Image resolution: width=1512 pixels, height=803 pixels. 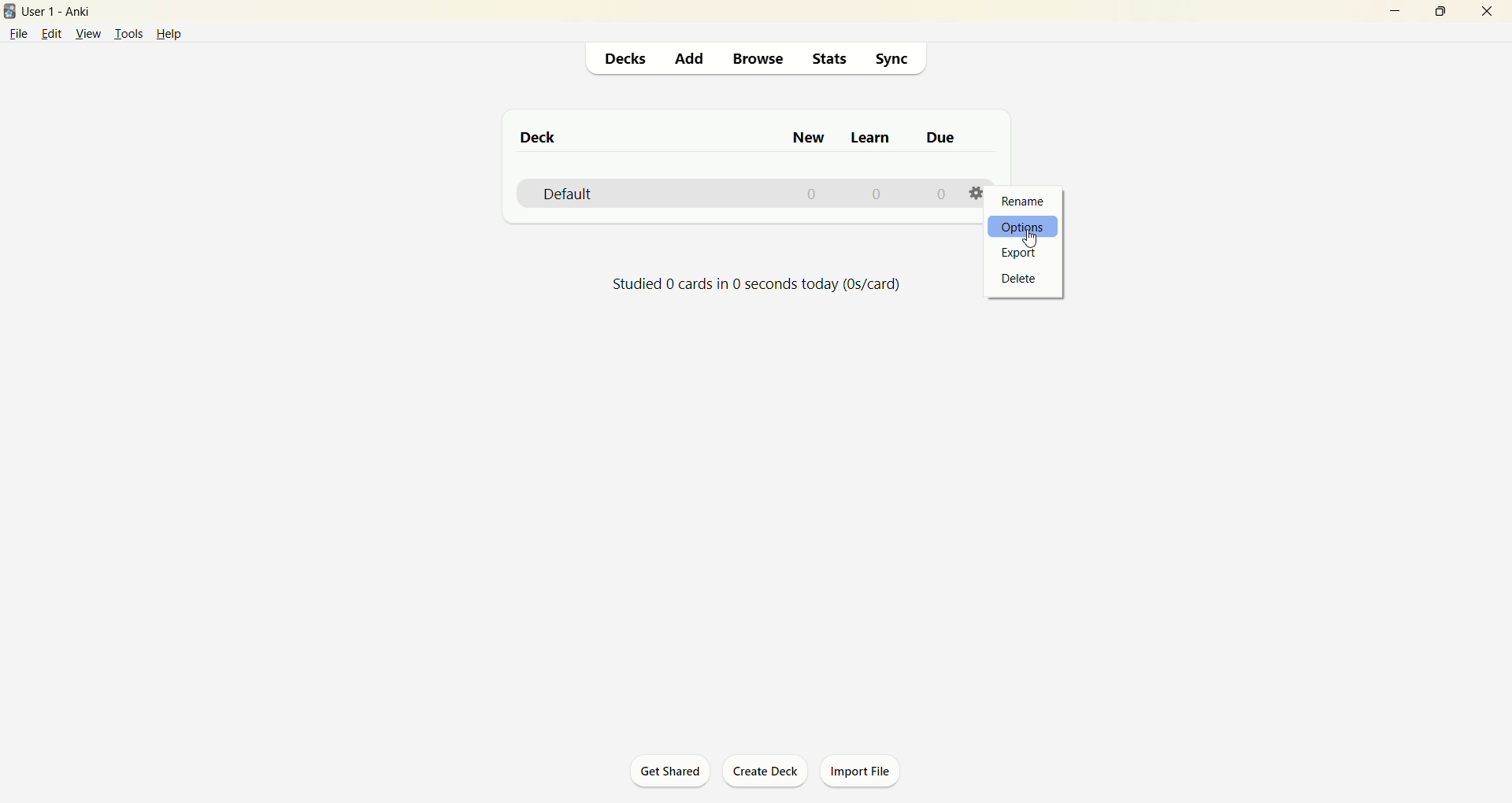 I want to click on file, so click(x=17, y=35).